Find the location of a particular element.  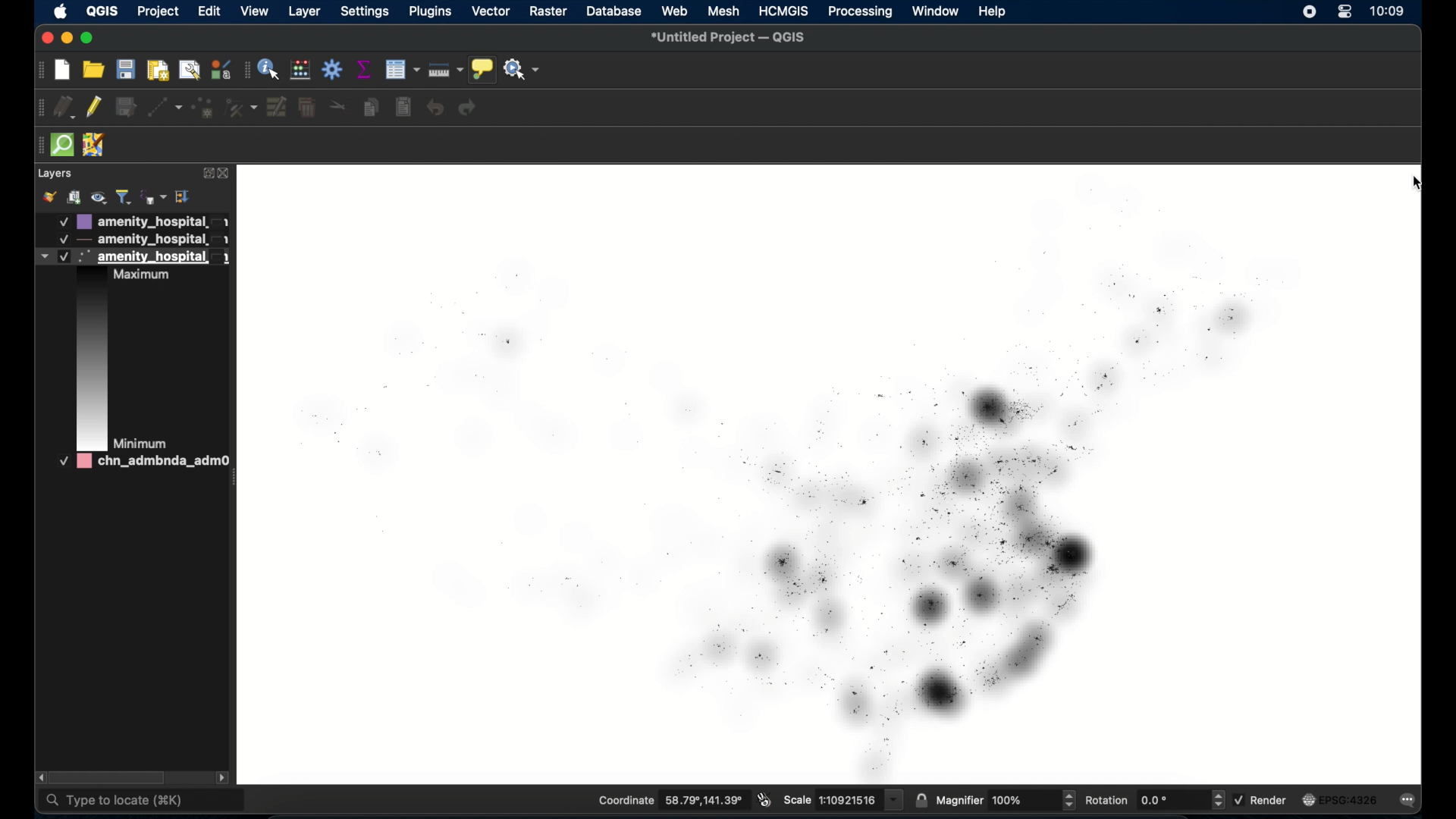

maximize is located at coordinates (90, 39).